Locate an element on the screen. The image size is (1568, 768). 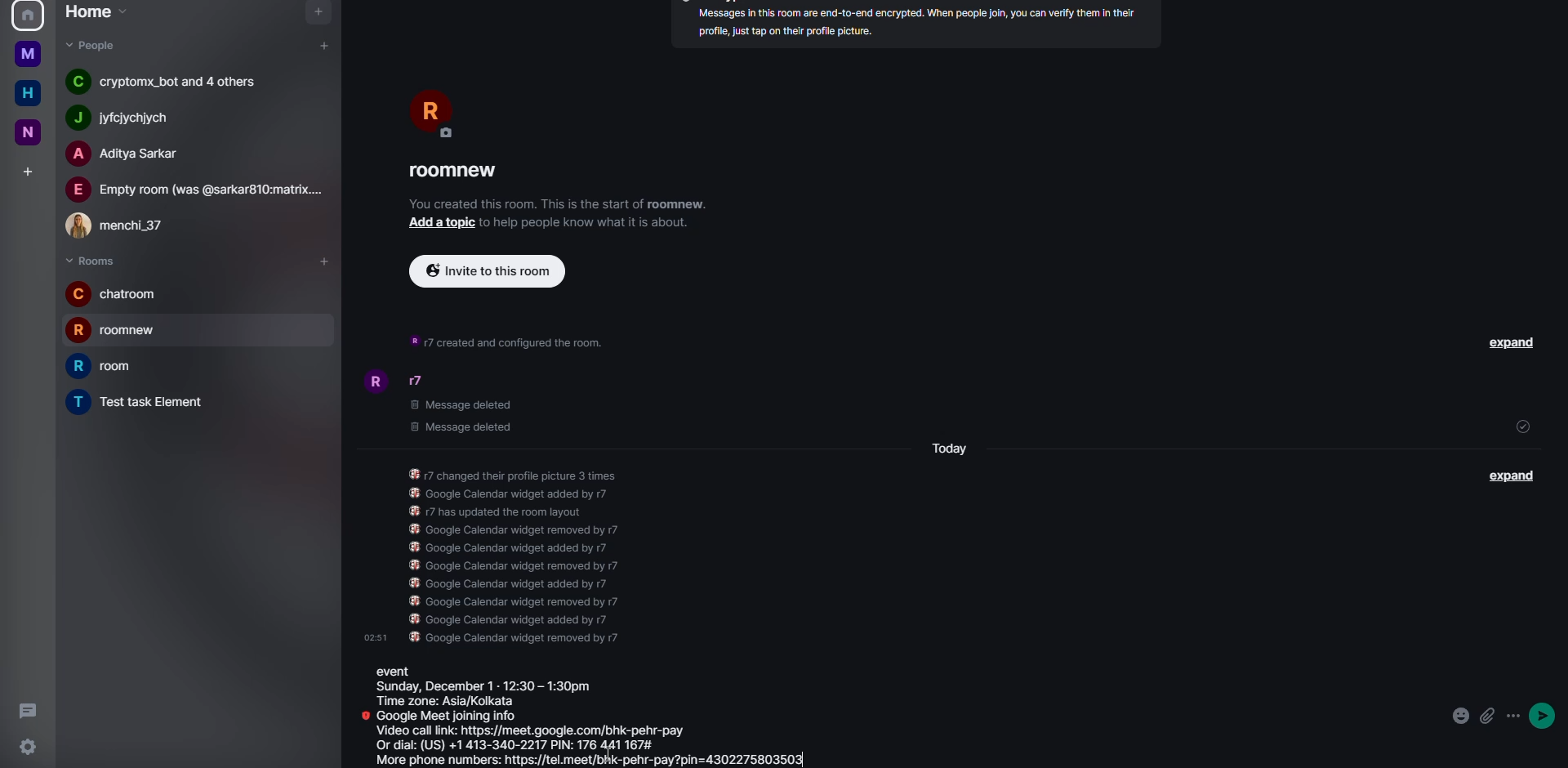
cursor is located at coordinates (136, 567).